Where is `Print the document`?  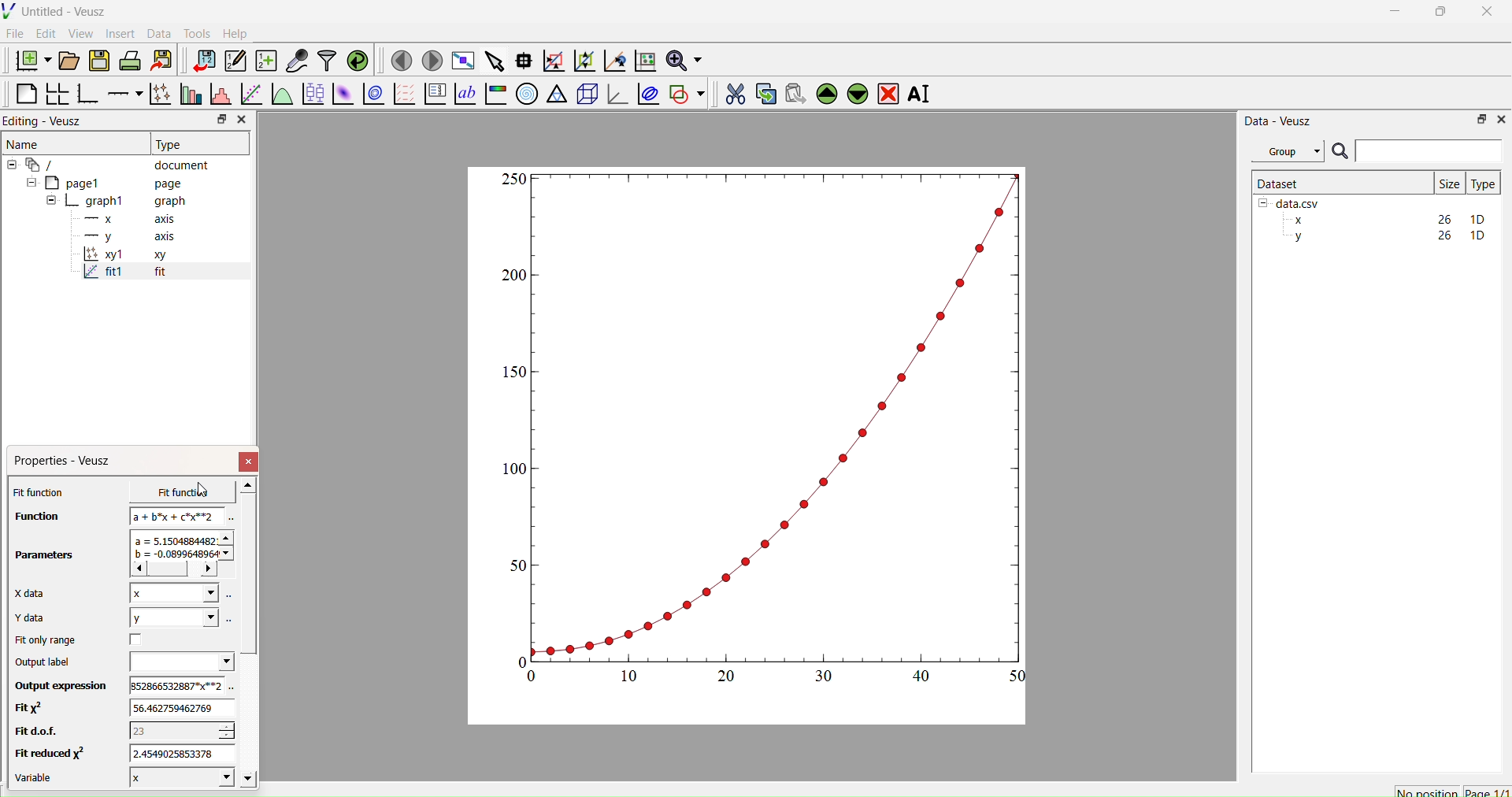 Print the document is located at coordinates (130, 59).